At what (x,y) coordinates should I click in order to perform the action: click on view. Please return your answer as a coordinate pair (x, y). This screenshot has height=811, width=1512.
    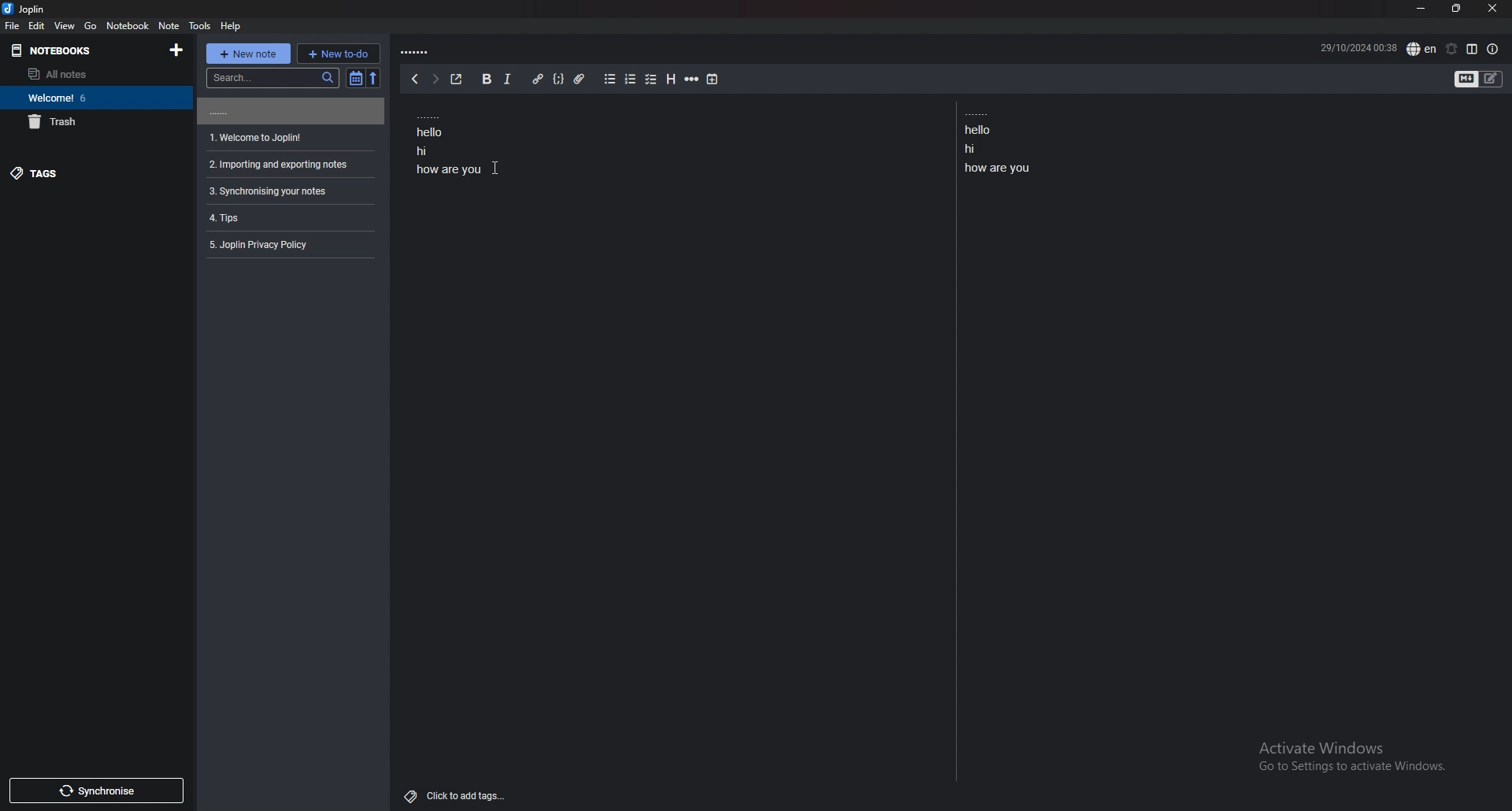
    Looking at the image, I should click on (66, 26).